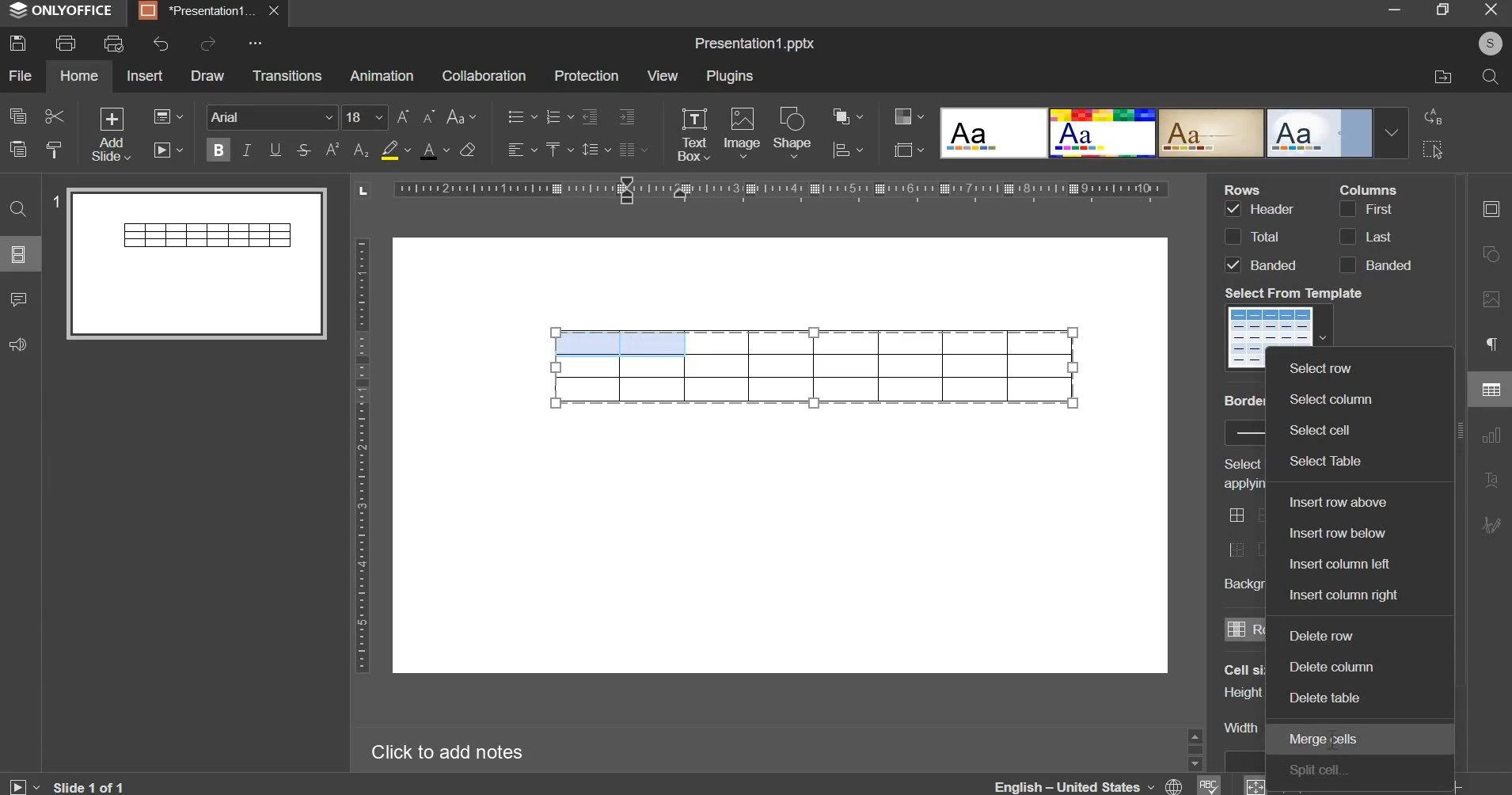 This screenshot has height=795, width=1512. What do you see at coordinates (274, 149) in the screenshot?
I see `underline` at bounding box center [274, 149].